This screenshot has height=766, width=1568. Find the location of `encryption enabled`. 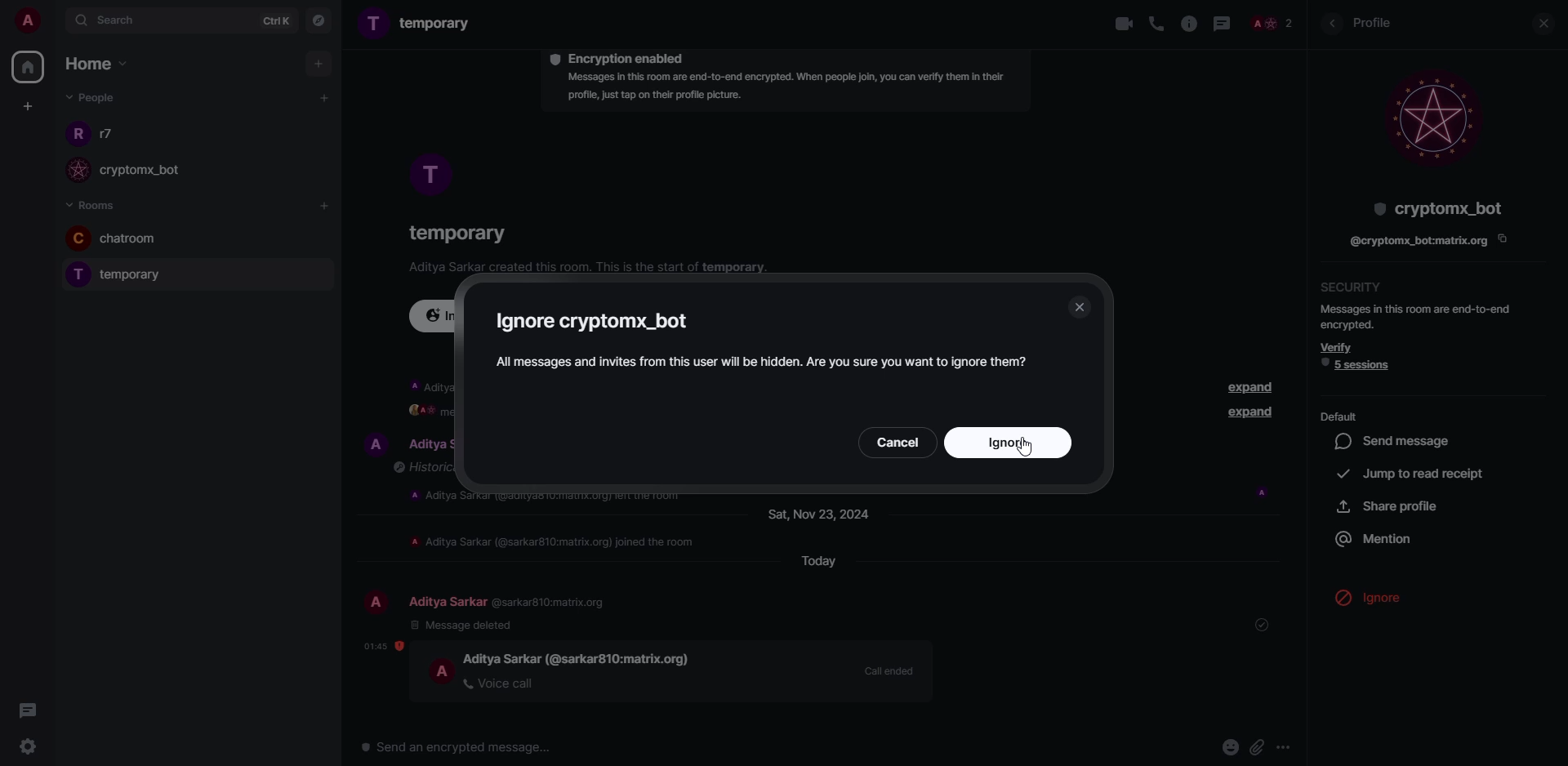

encryption enabled is located at coordinates (622, 57).